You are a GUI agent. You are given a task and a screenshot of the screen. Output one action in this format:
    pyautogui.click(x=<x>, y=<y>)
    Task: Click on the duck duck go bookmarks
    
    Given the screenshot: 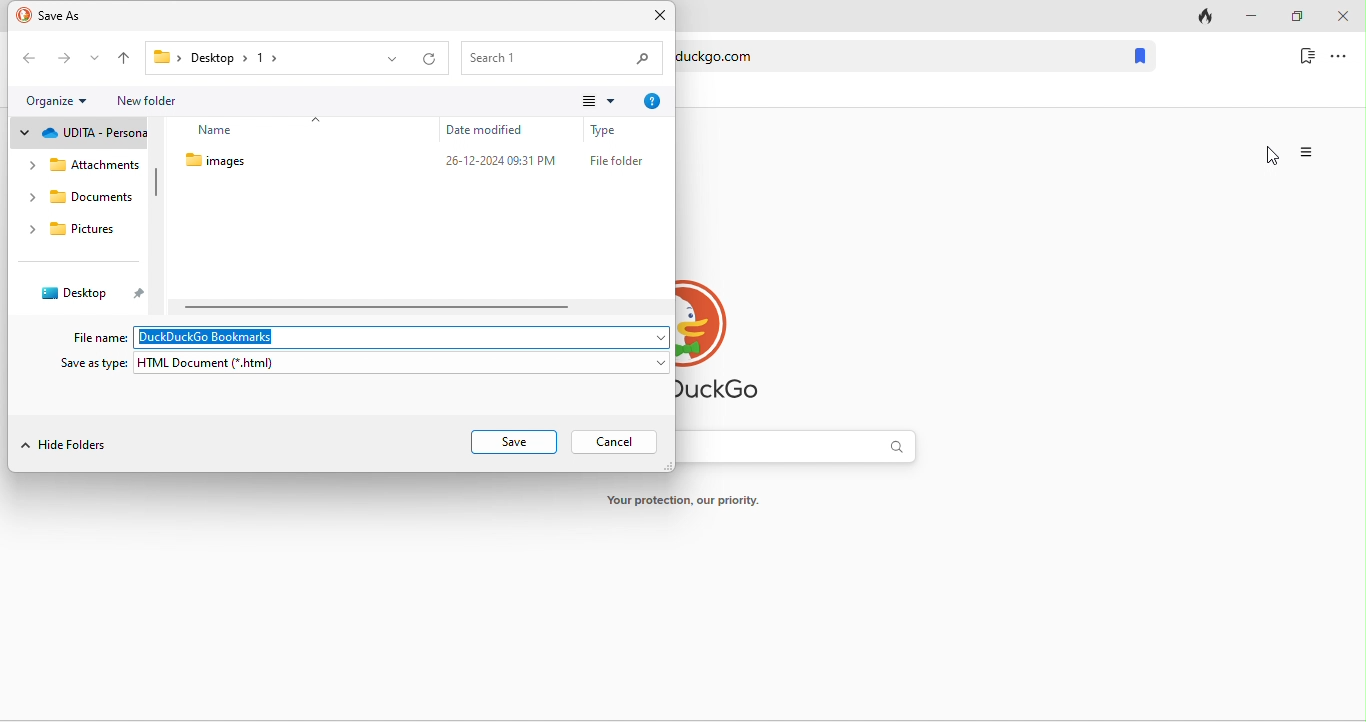 What is the action you would take?
    pyautogui.click(x=400, y=337)
    